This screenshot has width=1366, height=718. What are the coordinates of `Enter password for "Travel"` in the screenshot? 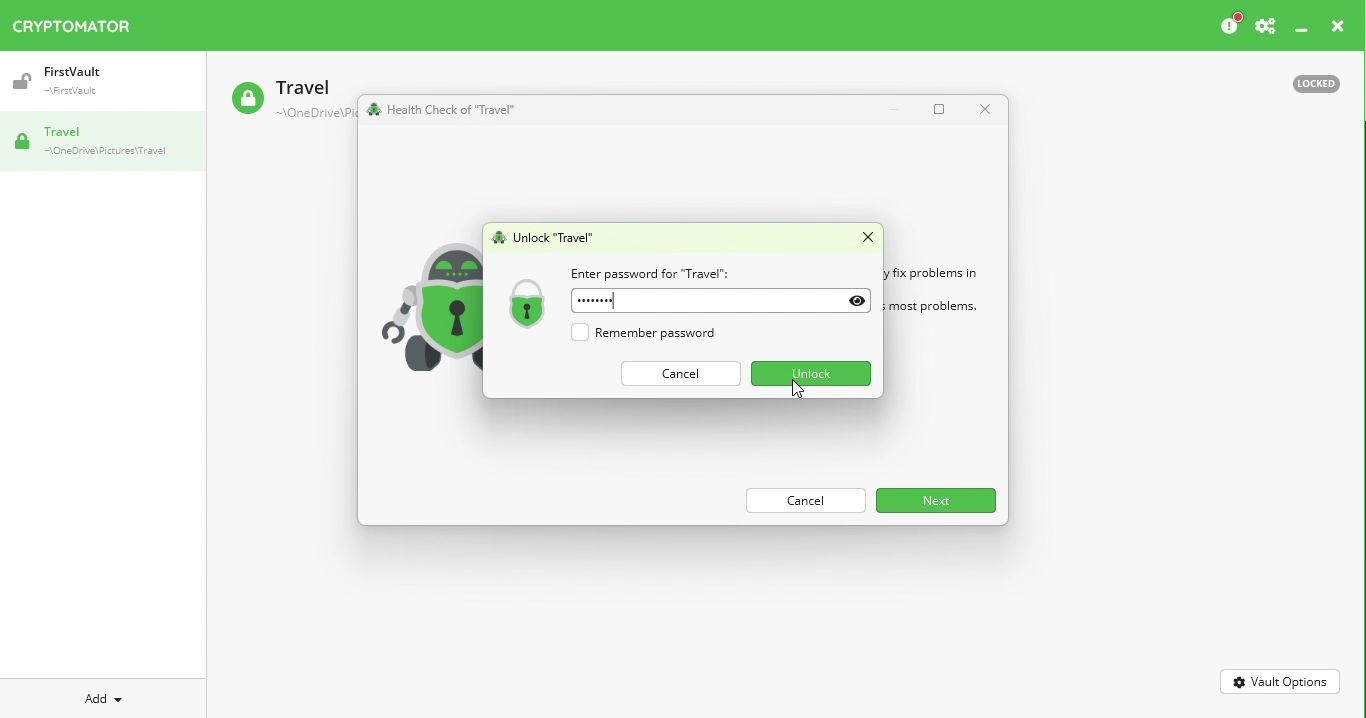 It's located at (651, 272).